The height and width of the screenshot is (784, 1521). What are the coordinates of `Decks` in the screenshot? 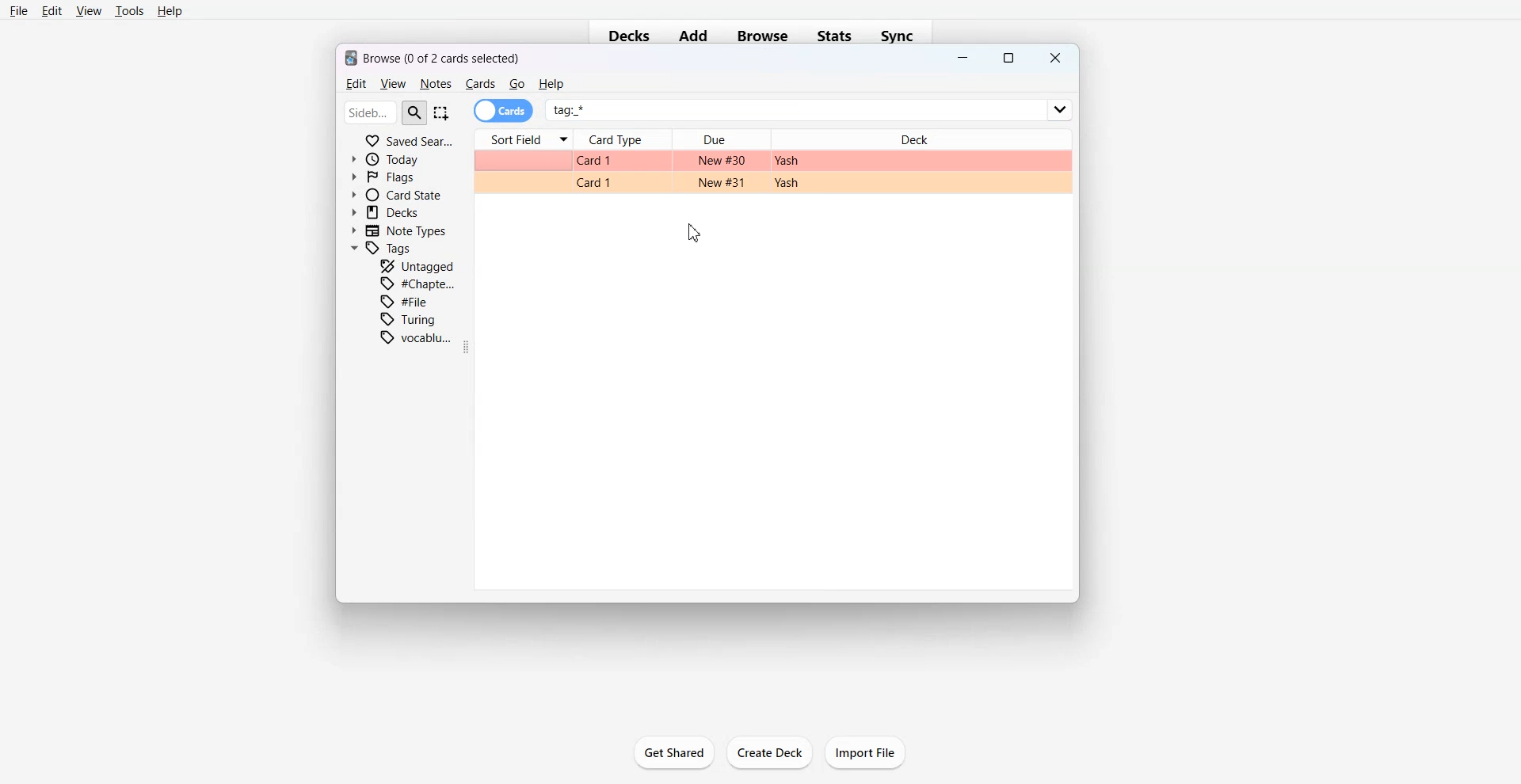 It's located at (624, 37).